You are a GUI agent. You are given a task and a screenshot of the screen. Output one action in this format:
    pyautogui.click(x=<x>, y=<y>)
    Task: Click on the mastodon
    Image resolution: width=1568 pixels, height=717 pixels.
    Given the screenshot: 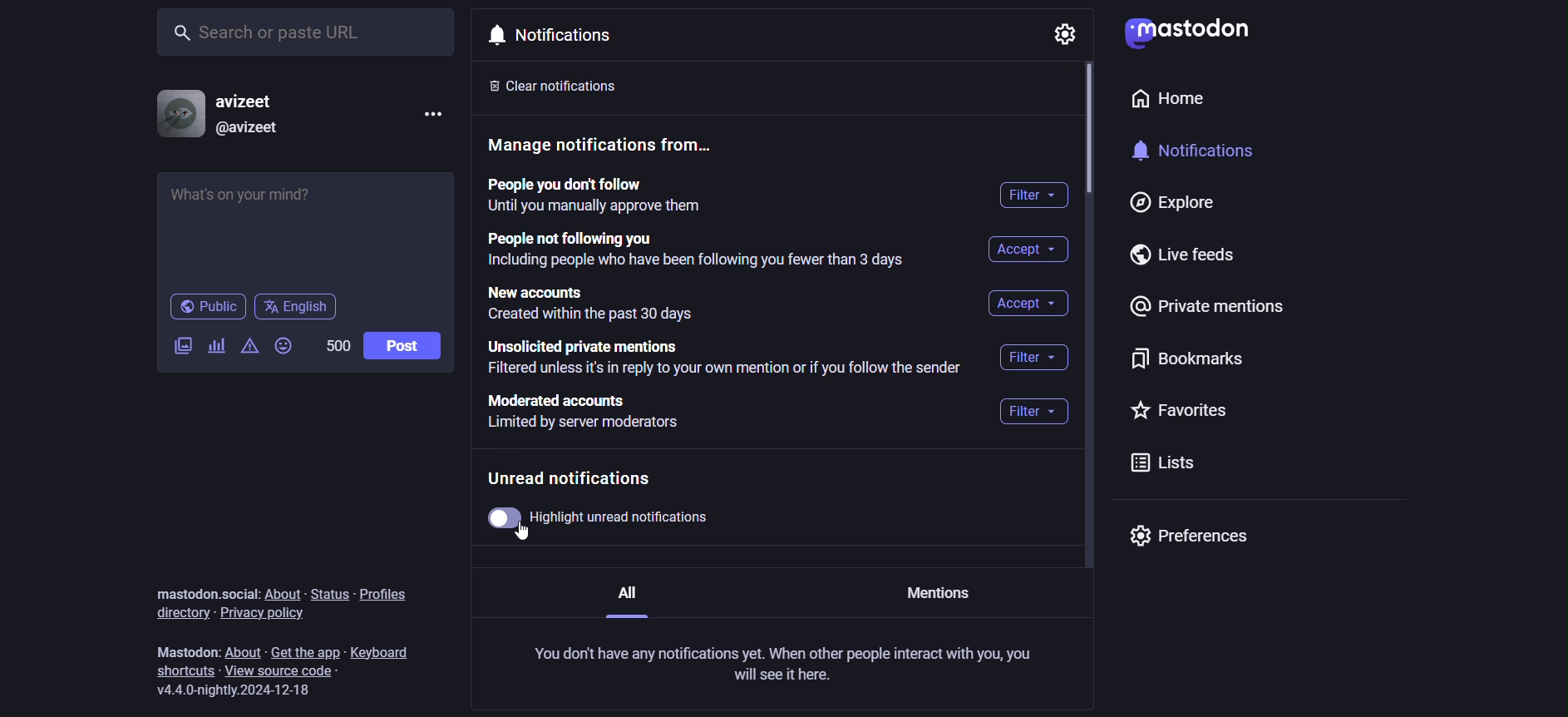 What is the action you would take?
    pyautogui.click(x=190, y=650)
    